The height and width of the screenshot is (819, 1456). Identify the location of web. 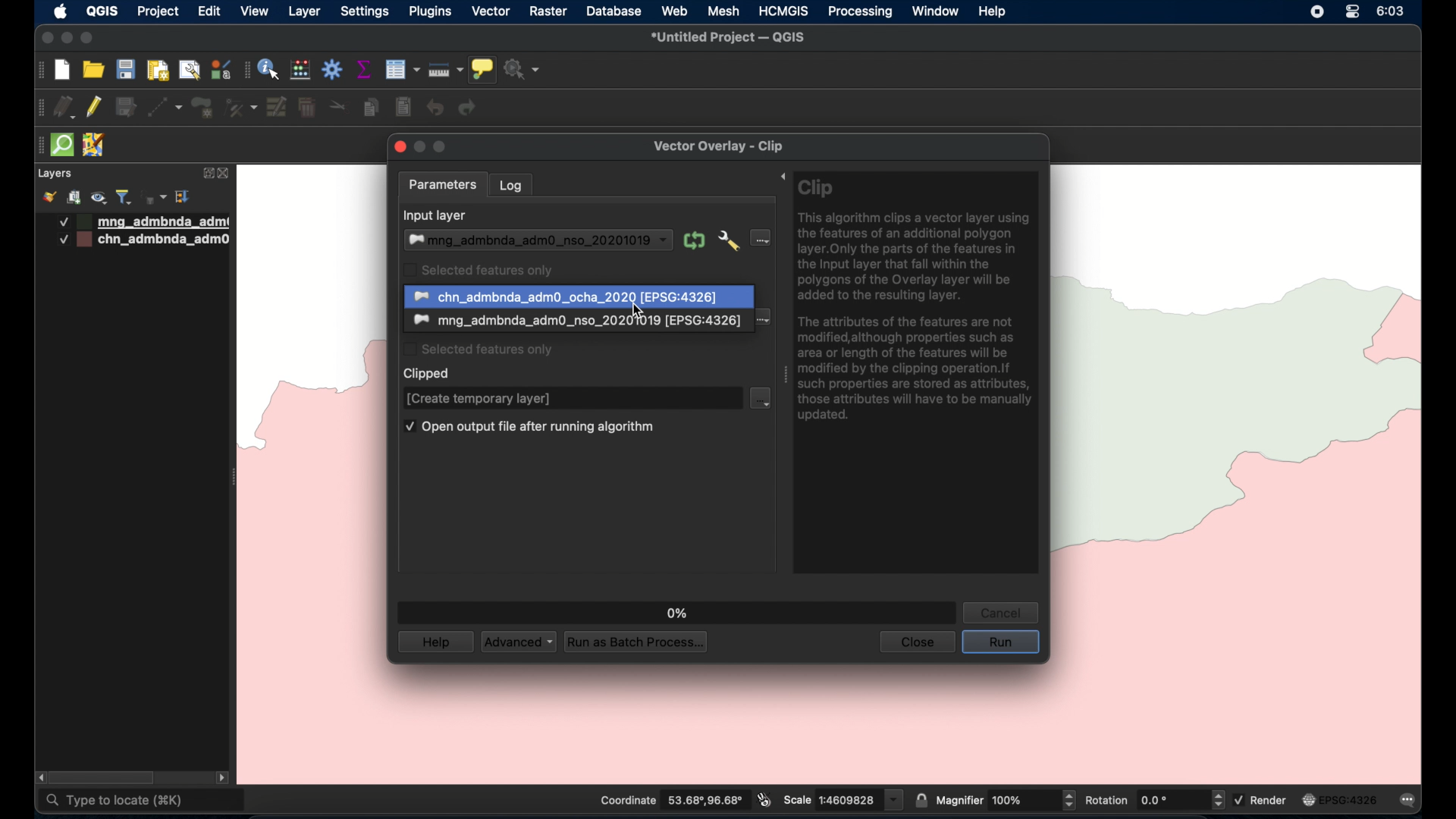
(676, 11).